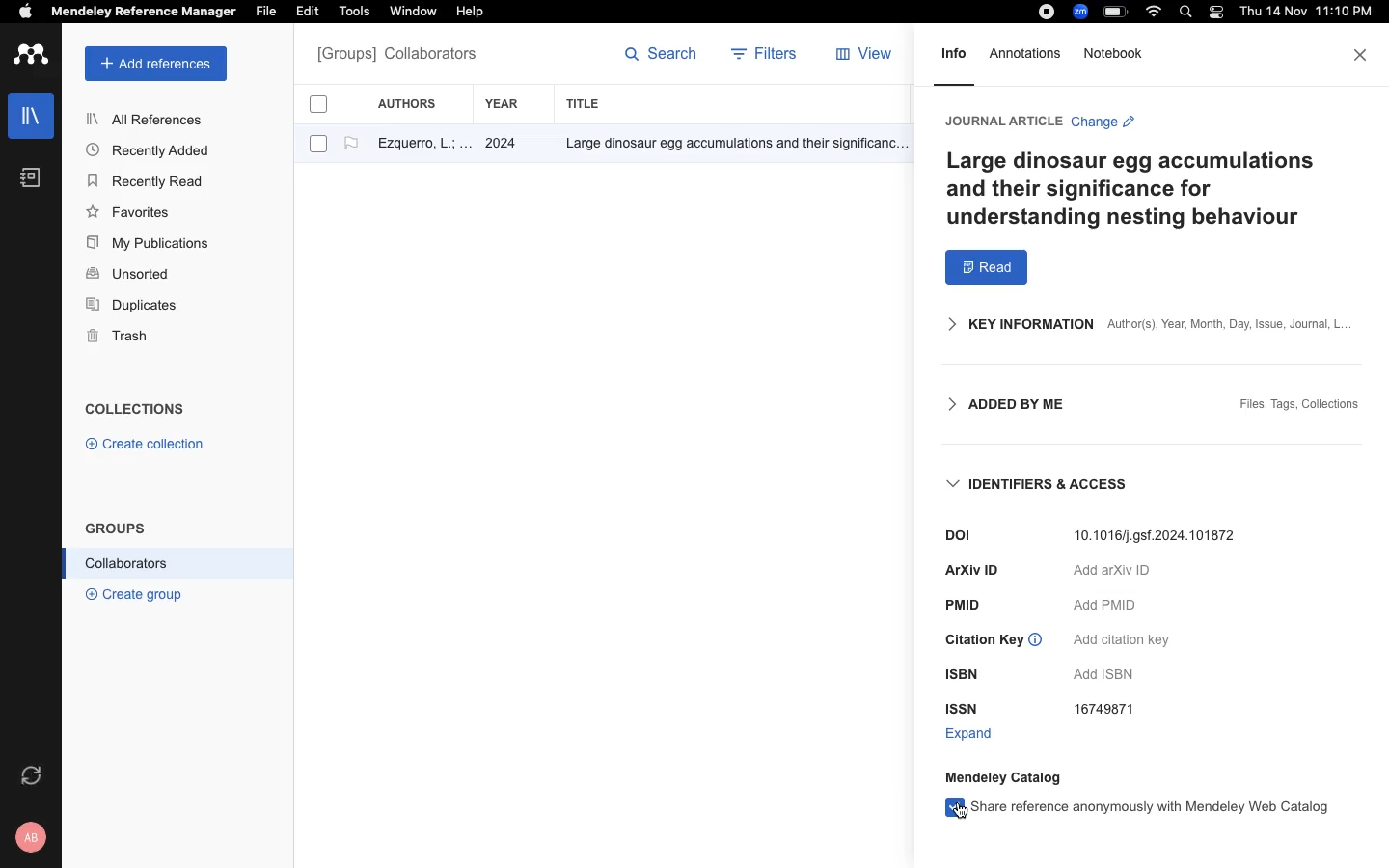 The height and width of the screenshot is (868, 1389). What do you see at coordinates (1227, 324) in the screenshot?
I see `author(s), Year, Month, Day, Issue, Journal, L.` at bounding box center [1227, 324].